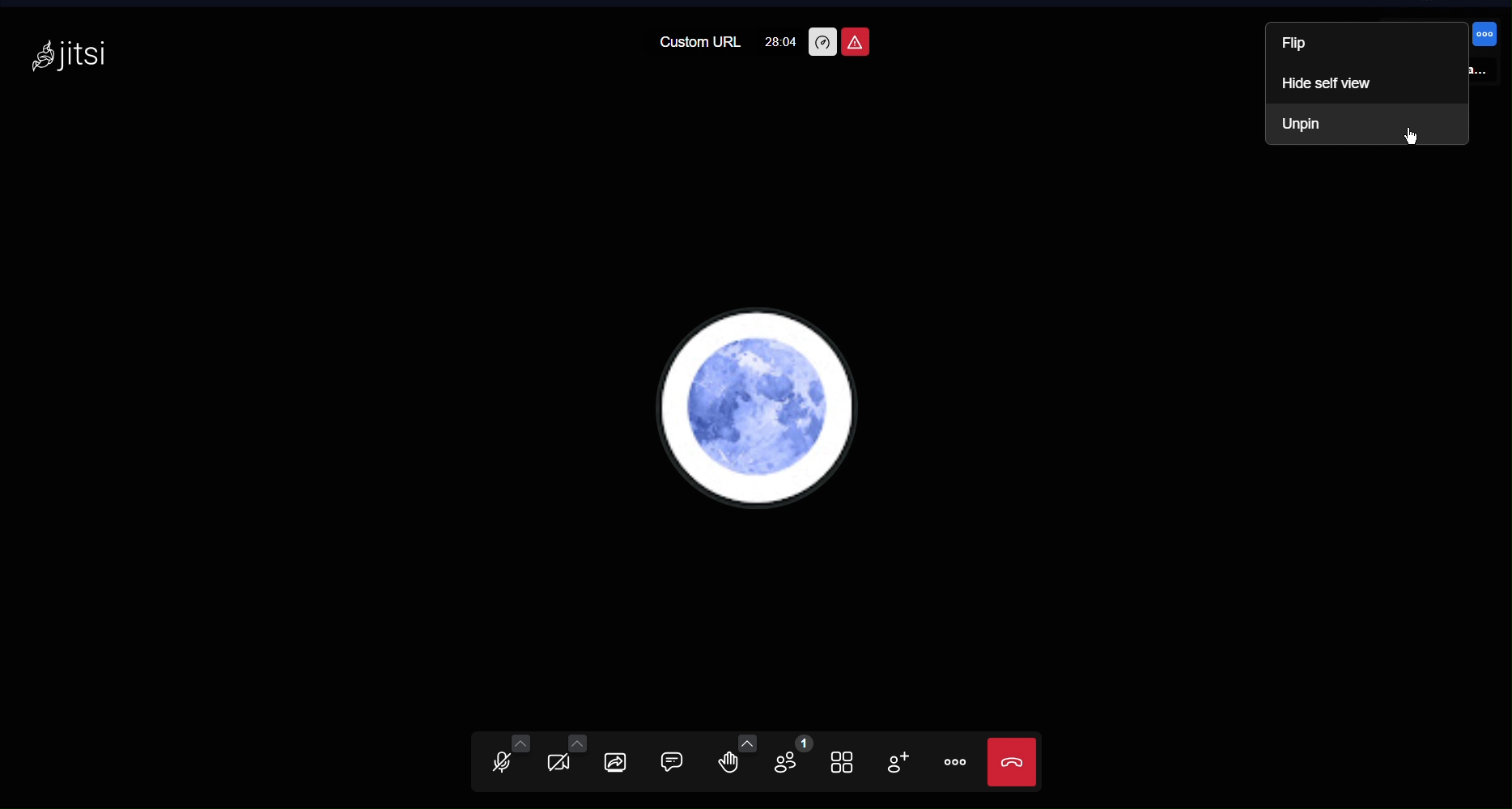 The image size is (1512, 809). I want to click on Unpin, so click(1307, 124).